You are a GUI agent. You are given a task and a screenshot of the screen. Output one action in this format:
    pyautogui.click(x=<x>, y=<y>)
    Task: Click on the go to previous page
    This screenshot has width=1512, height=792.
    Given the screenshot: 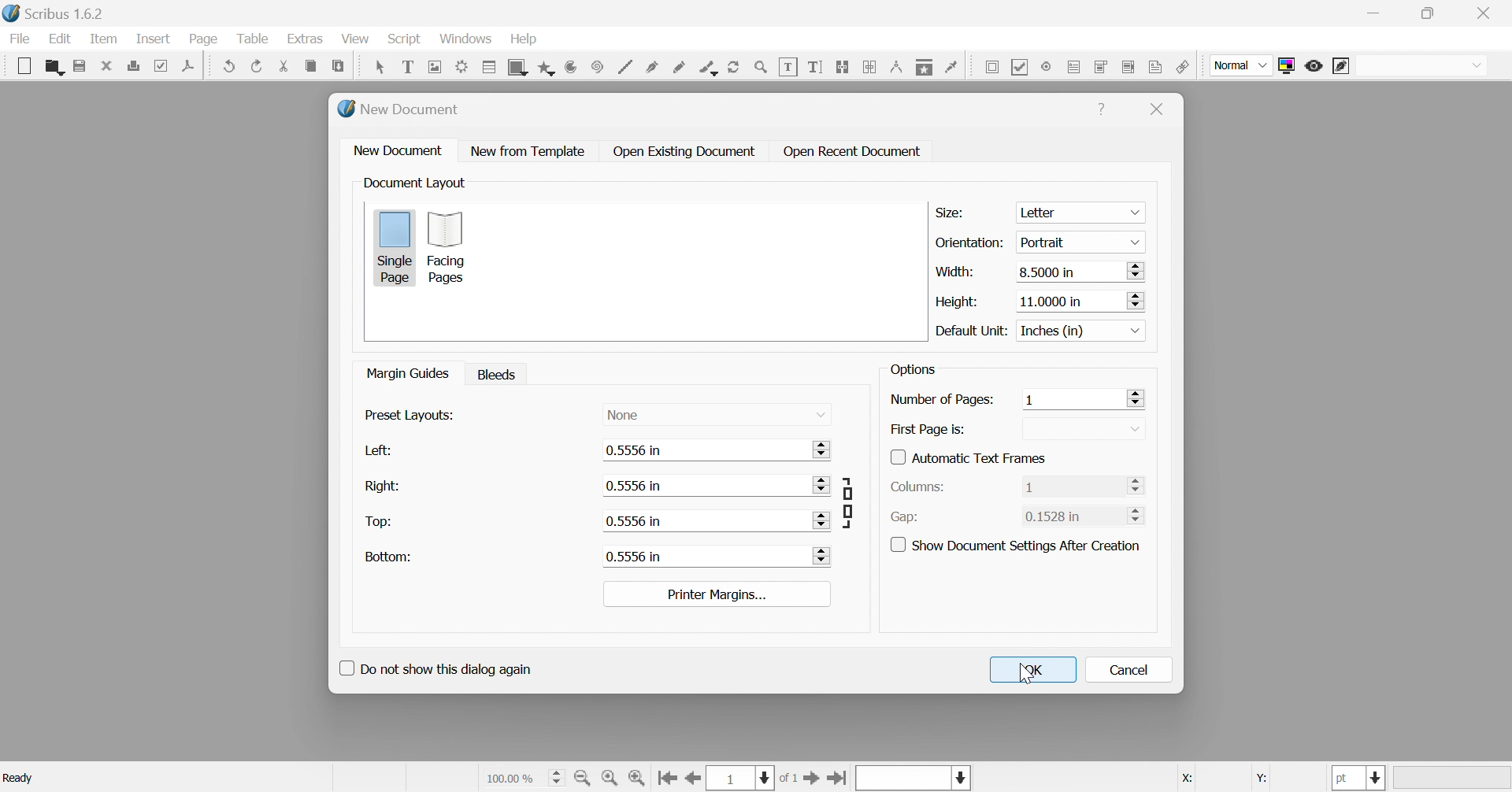 What is the action you would take?
    pyautogui.click(x=693, y=779)
    